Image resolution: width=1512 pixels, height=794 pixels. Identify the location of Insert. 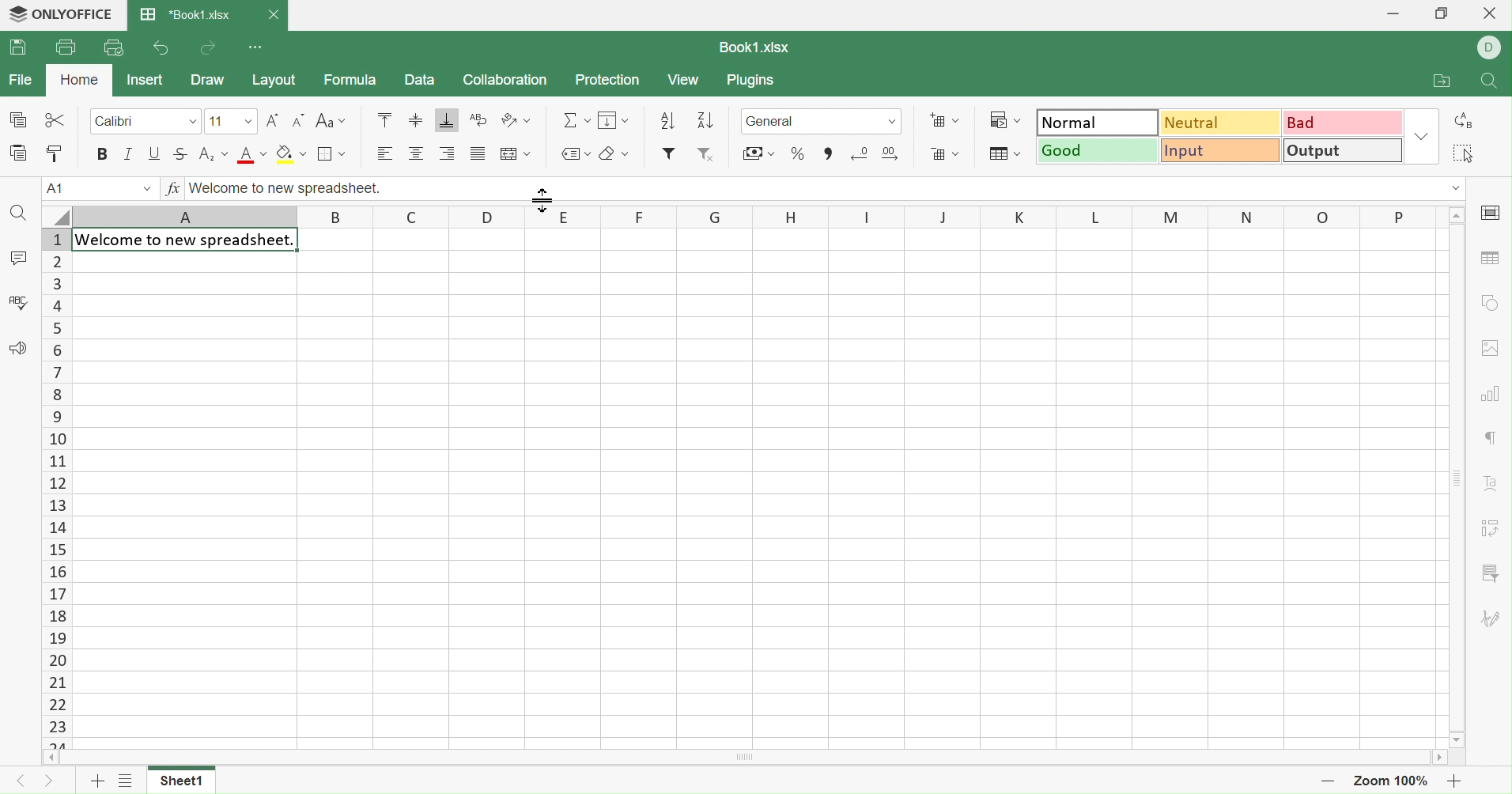
(148, 79).